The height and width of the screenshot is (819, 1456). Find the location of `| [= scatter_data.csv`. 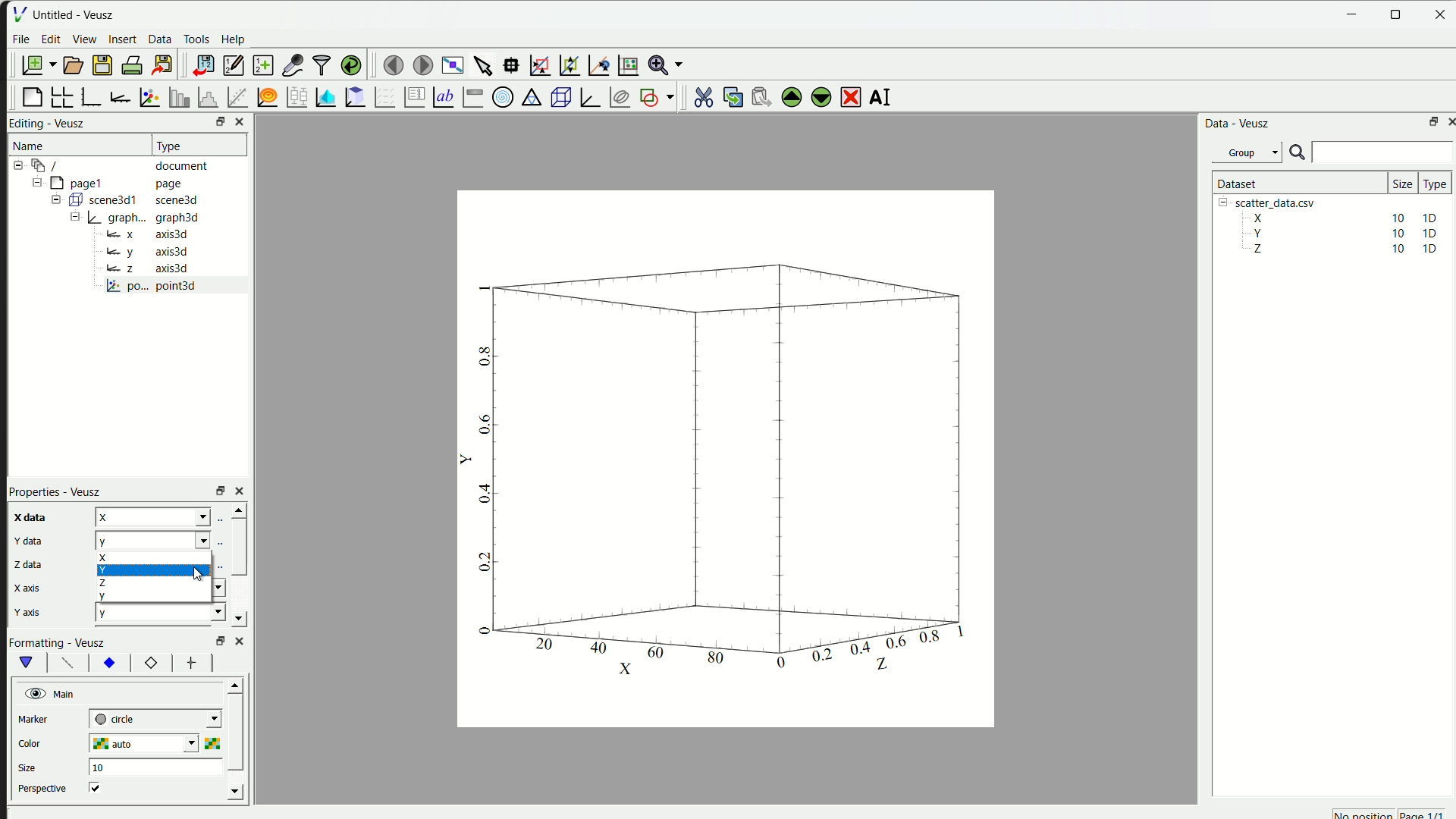

| [= scatter_data.csv is located at coordinates (1272, 202).